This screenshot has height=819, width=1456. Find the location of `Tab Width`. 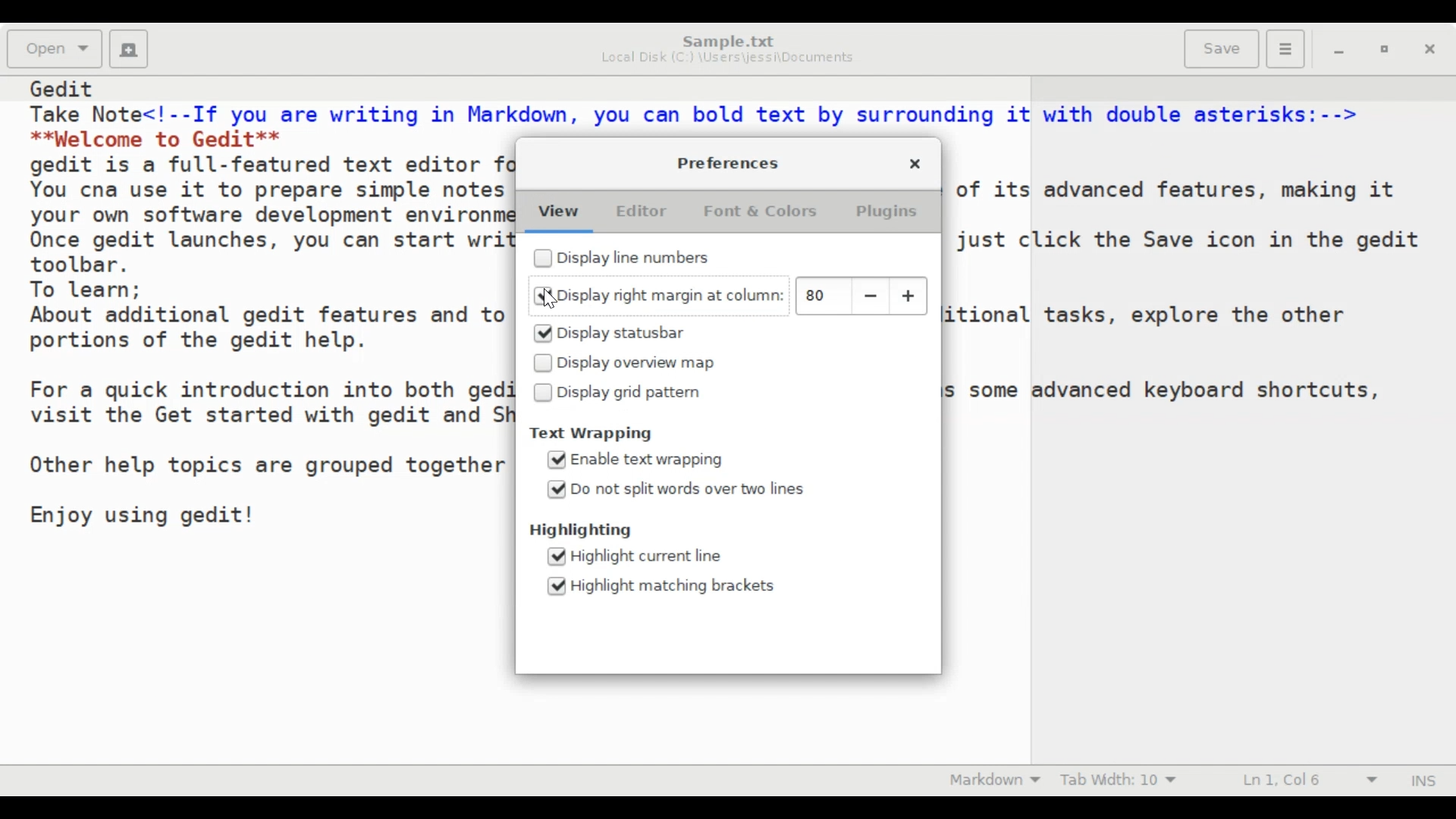

Tab Width is located at coordinates (1120, 781).